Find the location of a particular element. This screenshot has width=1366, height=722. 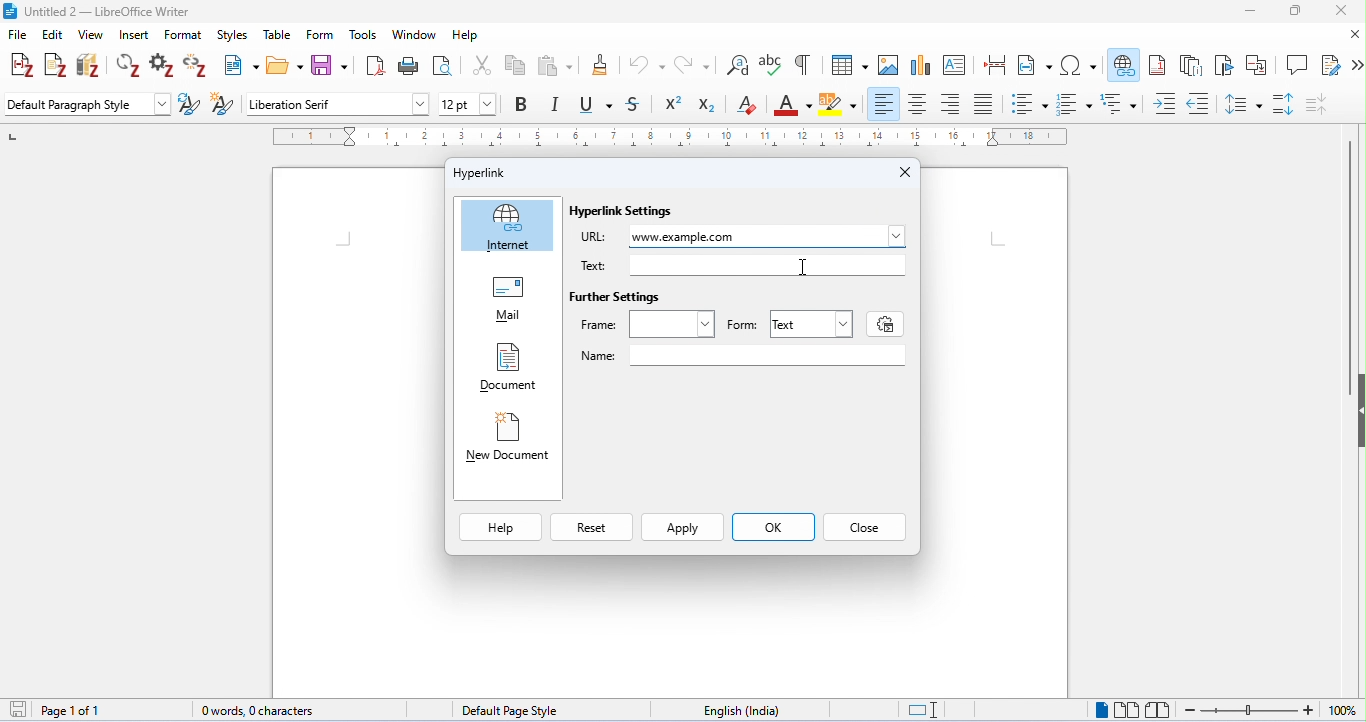

close document is located at coordinates (1354, 35).